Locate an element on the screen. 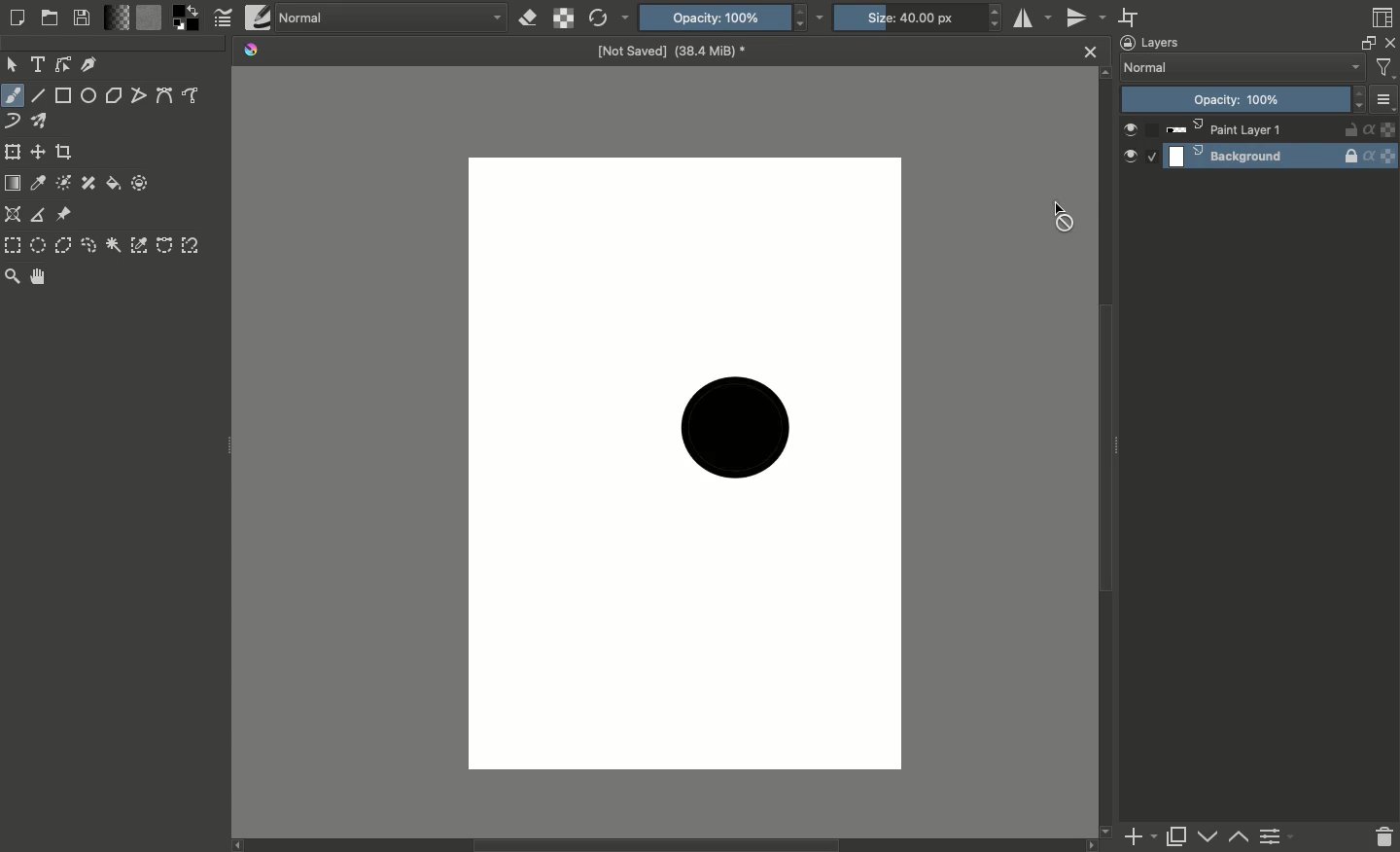 This screenshot has height=852, width=1400. Elliptical selection tool is located at coordinates (40, 246).